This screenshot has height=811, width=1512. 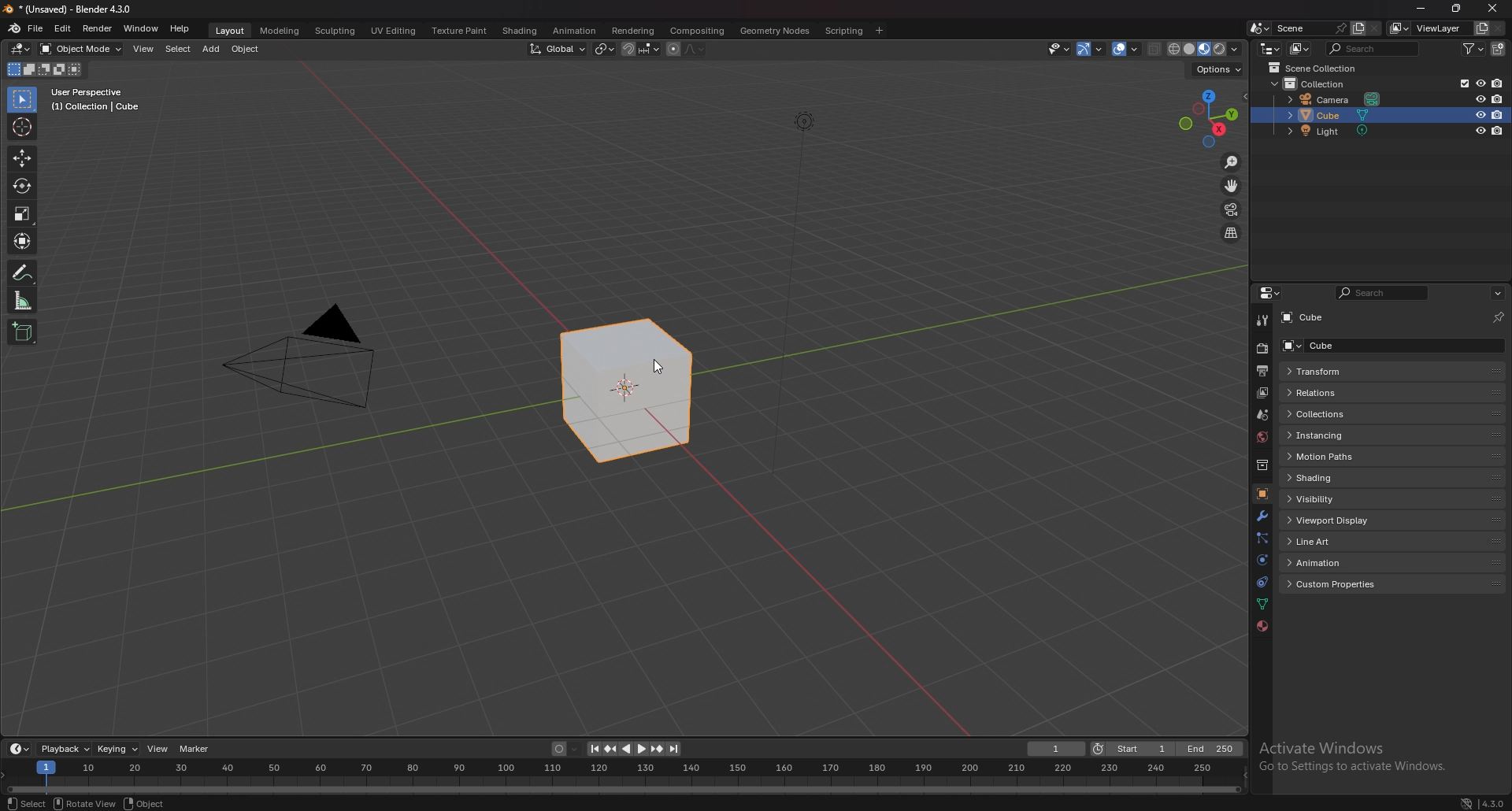 I want to click on line art, so click(x=1336, y=543).